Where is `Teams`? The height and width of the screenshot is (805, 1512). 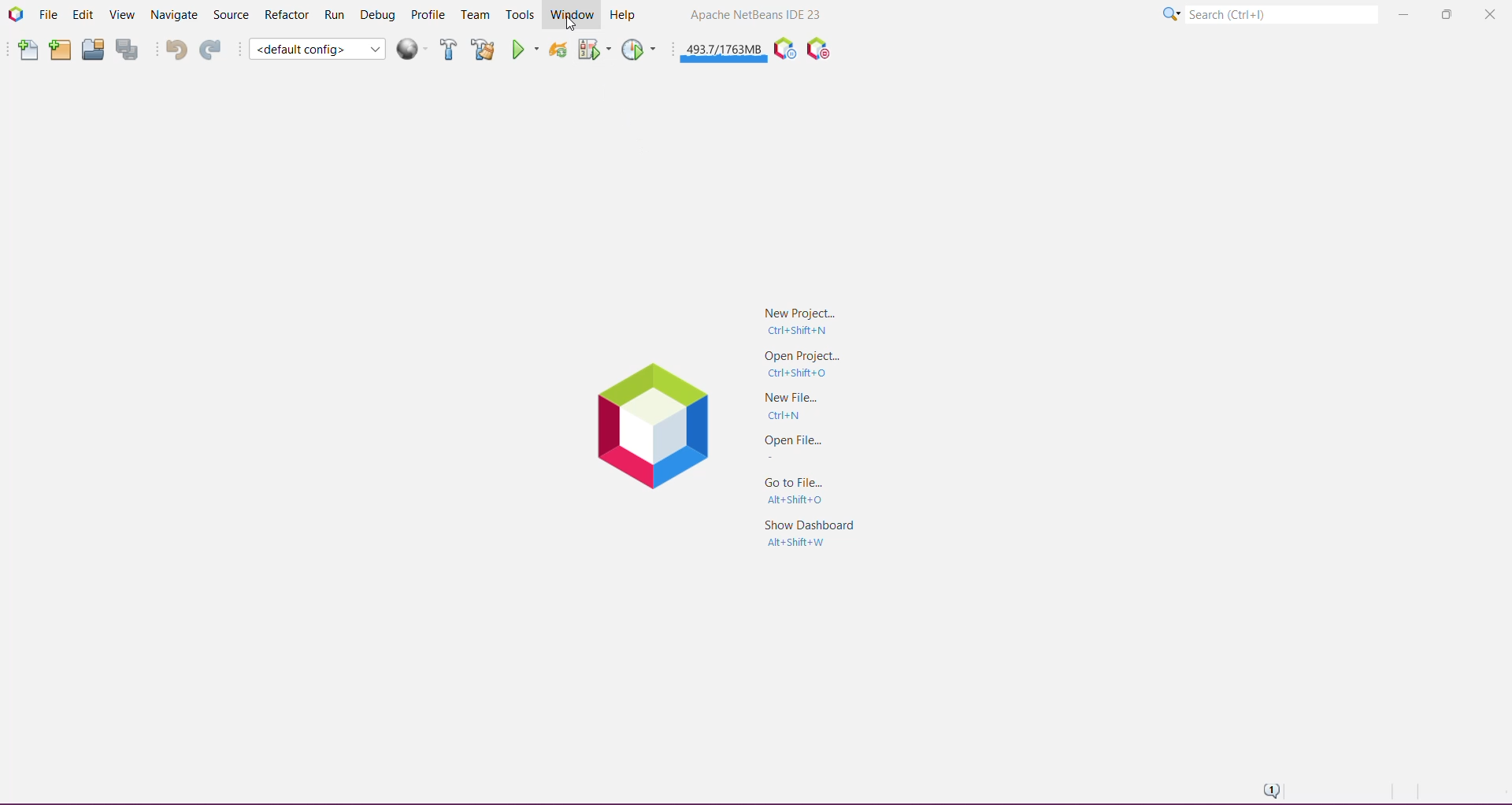 Teams is located at coordinates (476, 15).